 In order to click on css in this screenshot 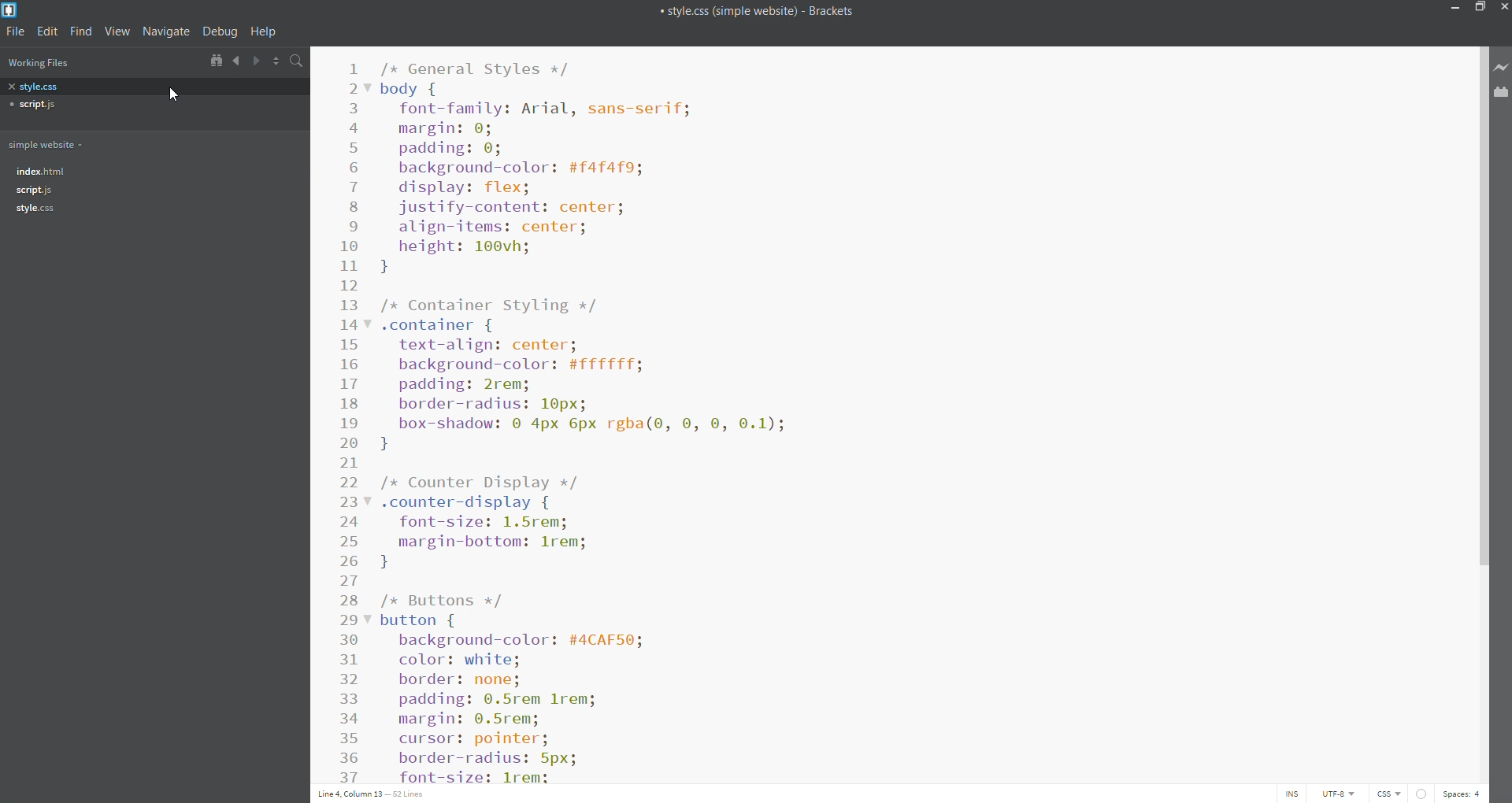, I will do `click(1391, 794)`.